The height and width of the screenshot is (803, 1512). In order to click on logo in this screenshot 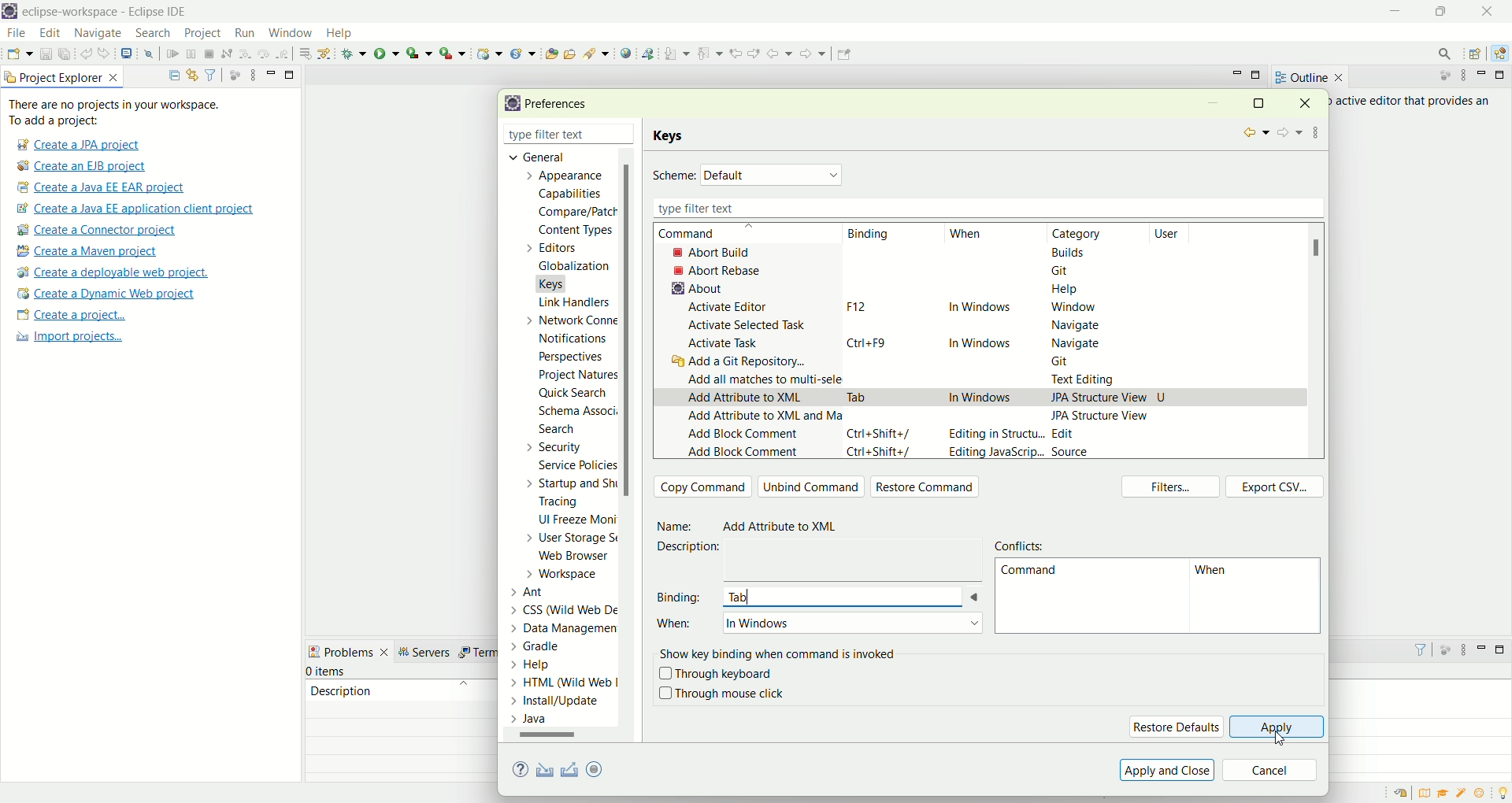, I will do `click(510, 104)`.